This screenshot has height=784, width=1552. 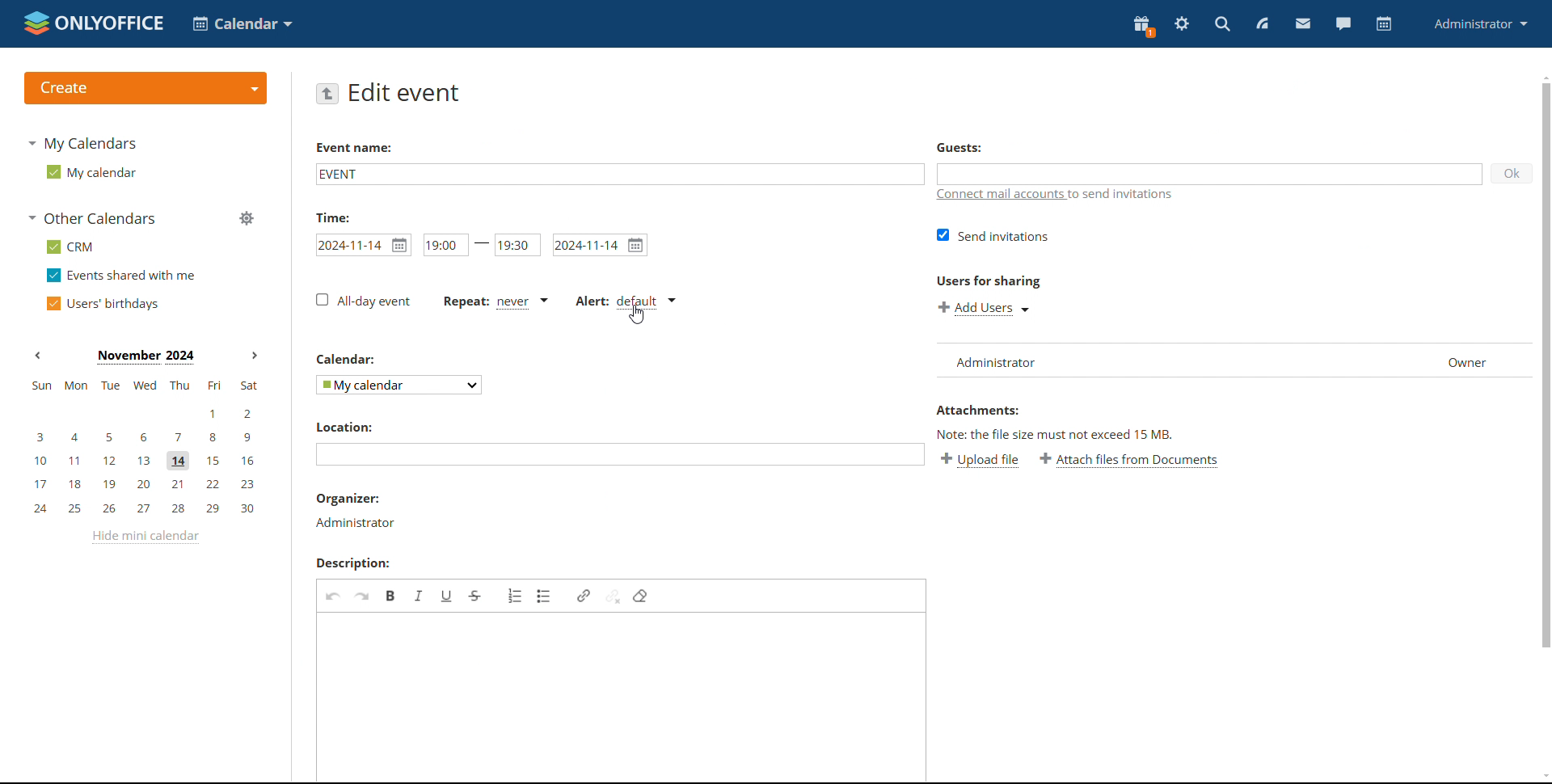 I want to click on mail, so click(x=1301, y=24).